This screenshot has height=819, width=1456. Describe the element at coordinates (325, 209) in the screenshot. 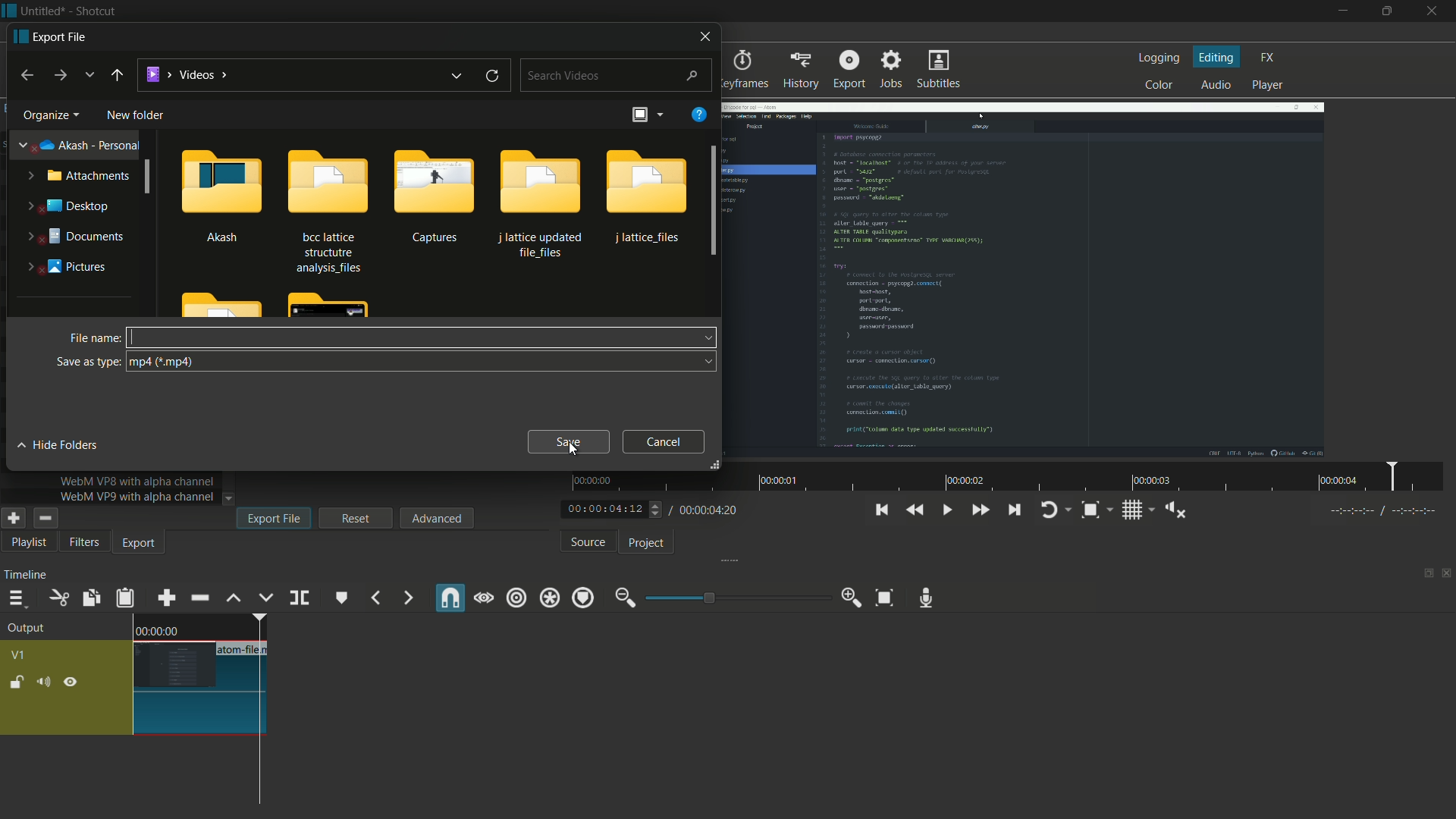

I see `folder-2` at that location.